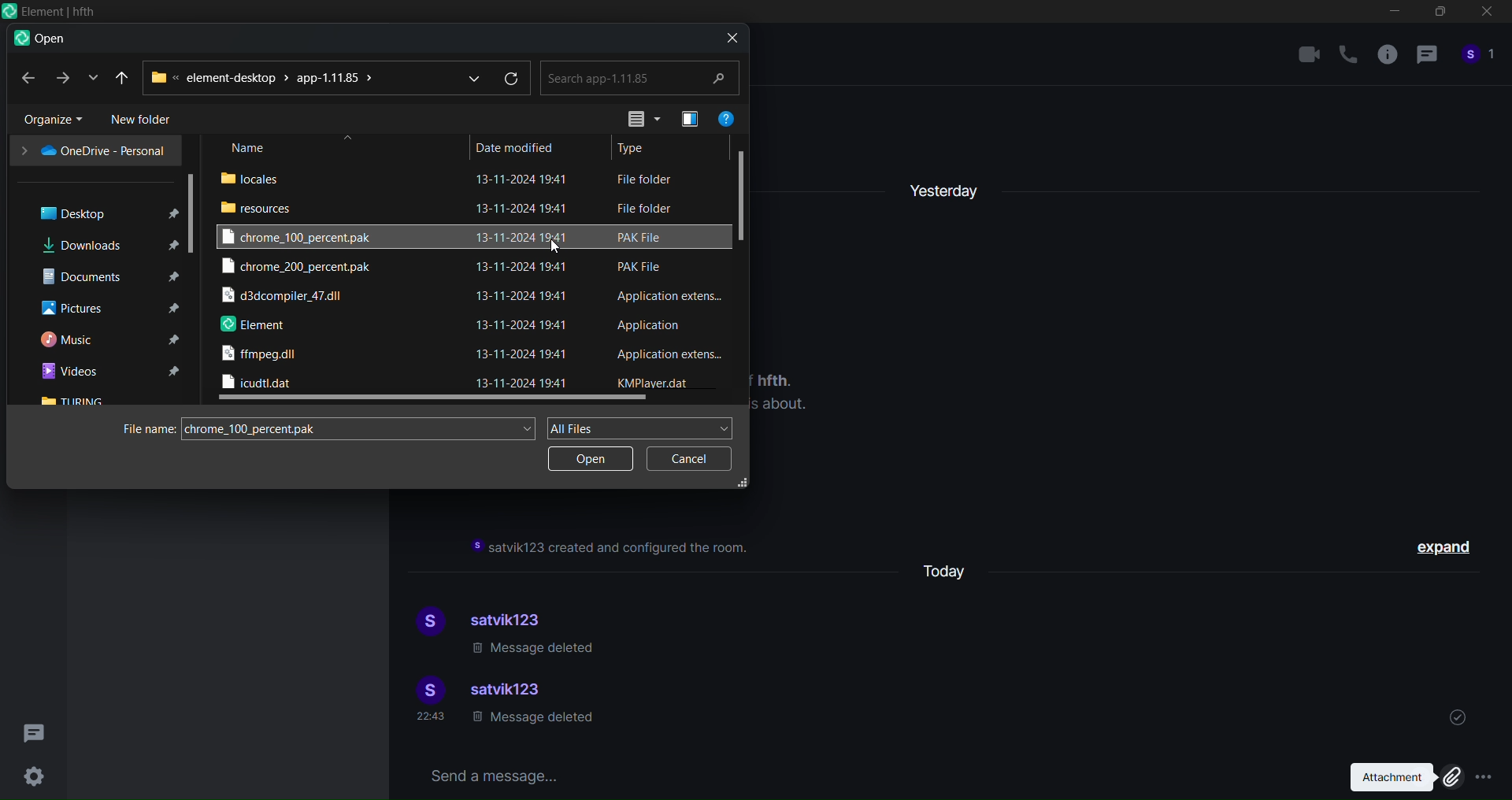 Image resolution: width=1512 pixels, height=800 pixels. I want to click on people, so click(1479, 59).